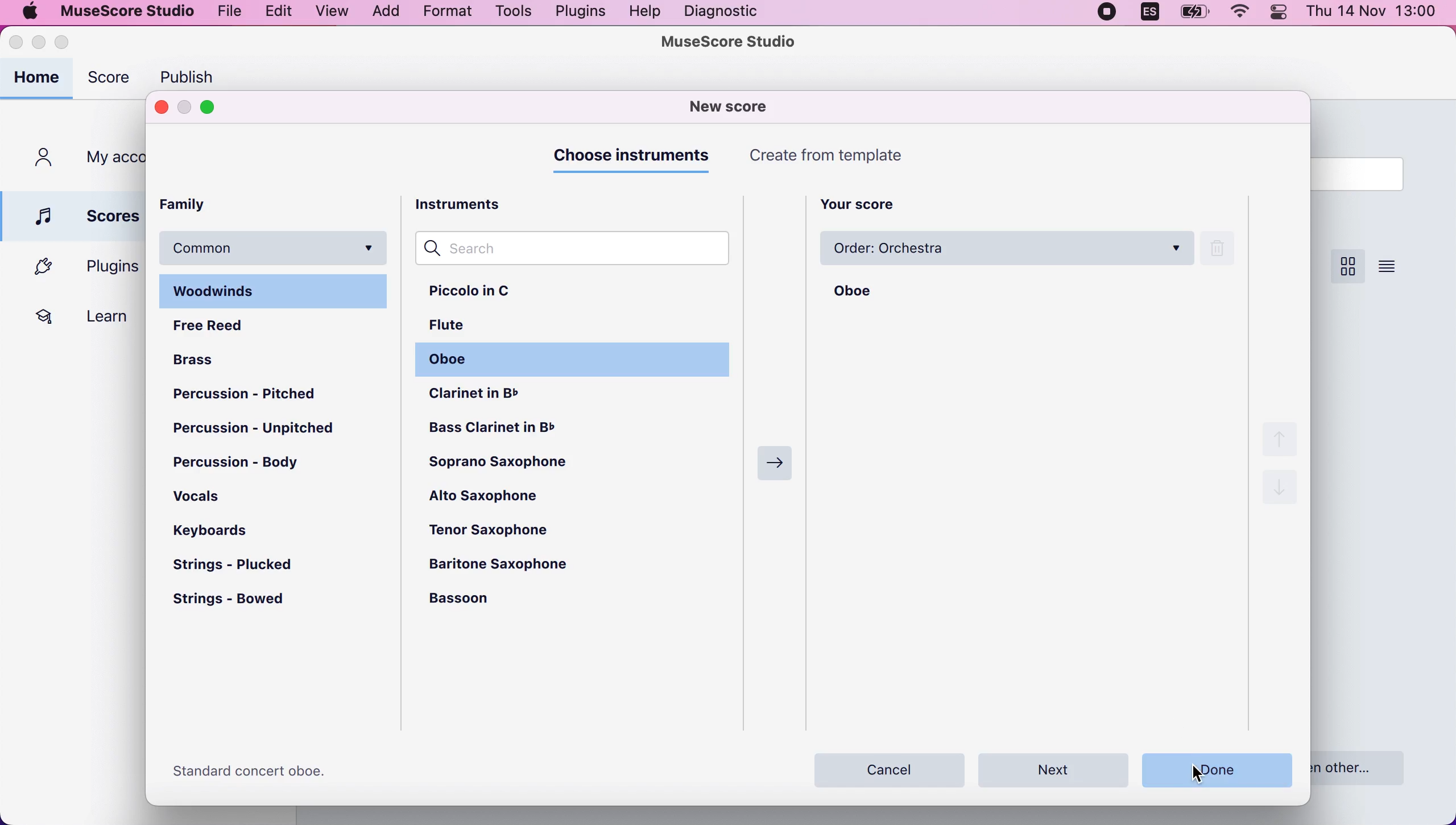 This screenshot has height=825, width=1456. Describe the element at coordinates (867, 203) in the screenshot. I see `your score` at that location.